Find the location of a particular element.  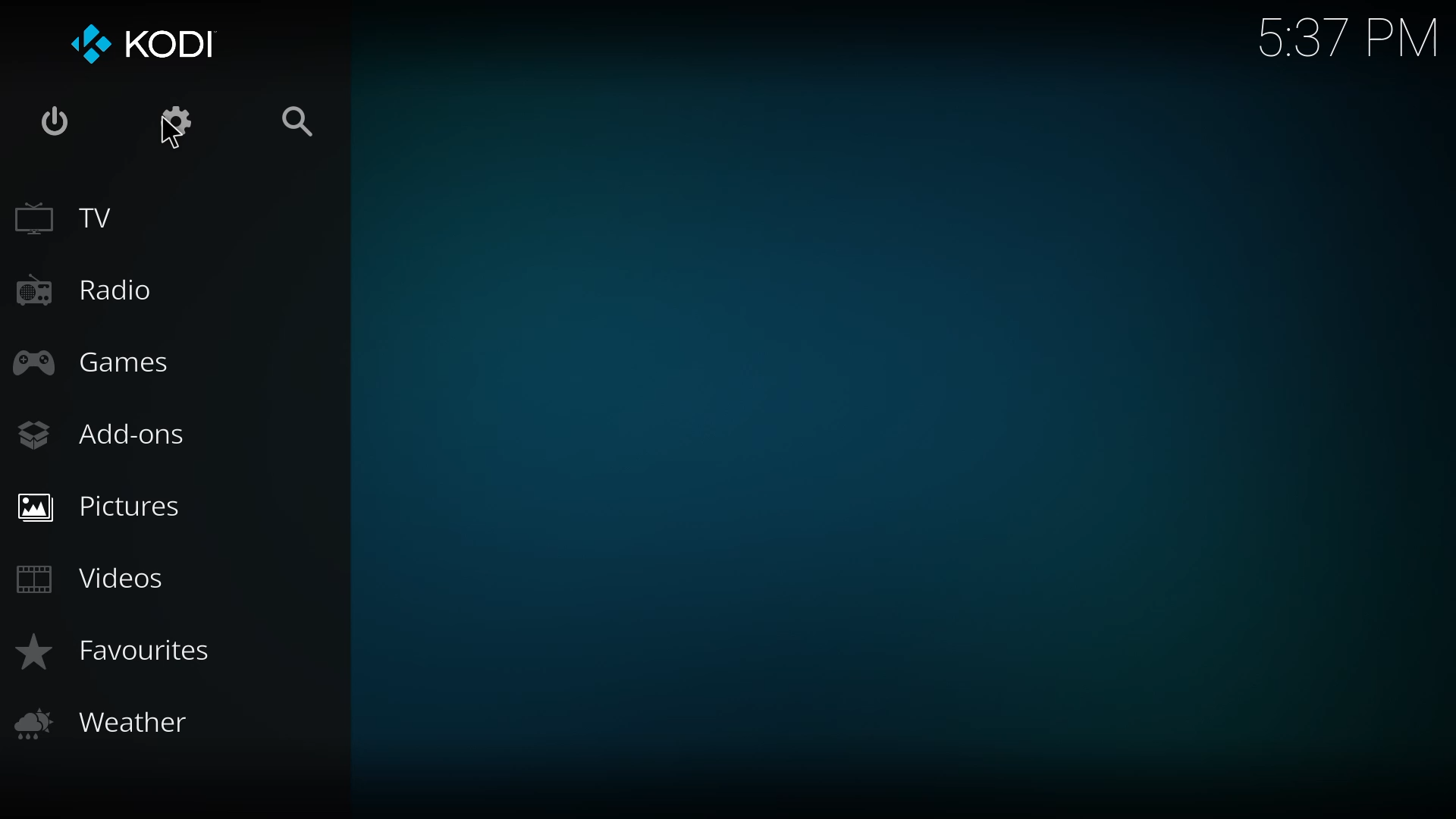

cursor is located at coordinates (171, 137).